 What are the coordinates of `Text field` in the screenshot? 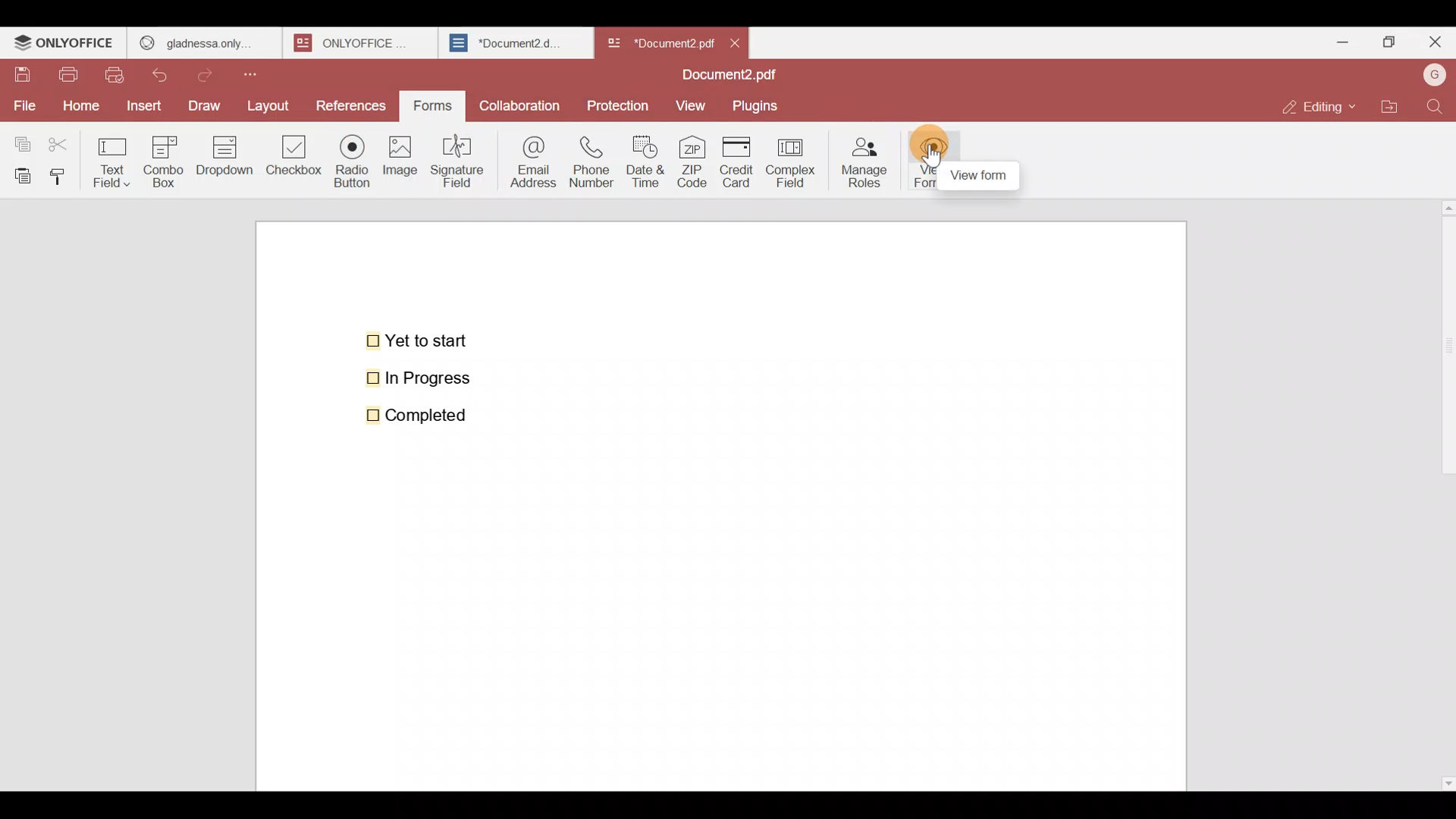 It's located at (115, 158).